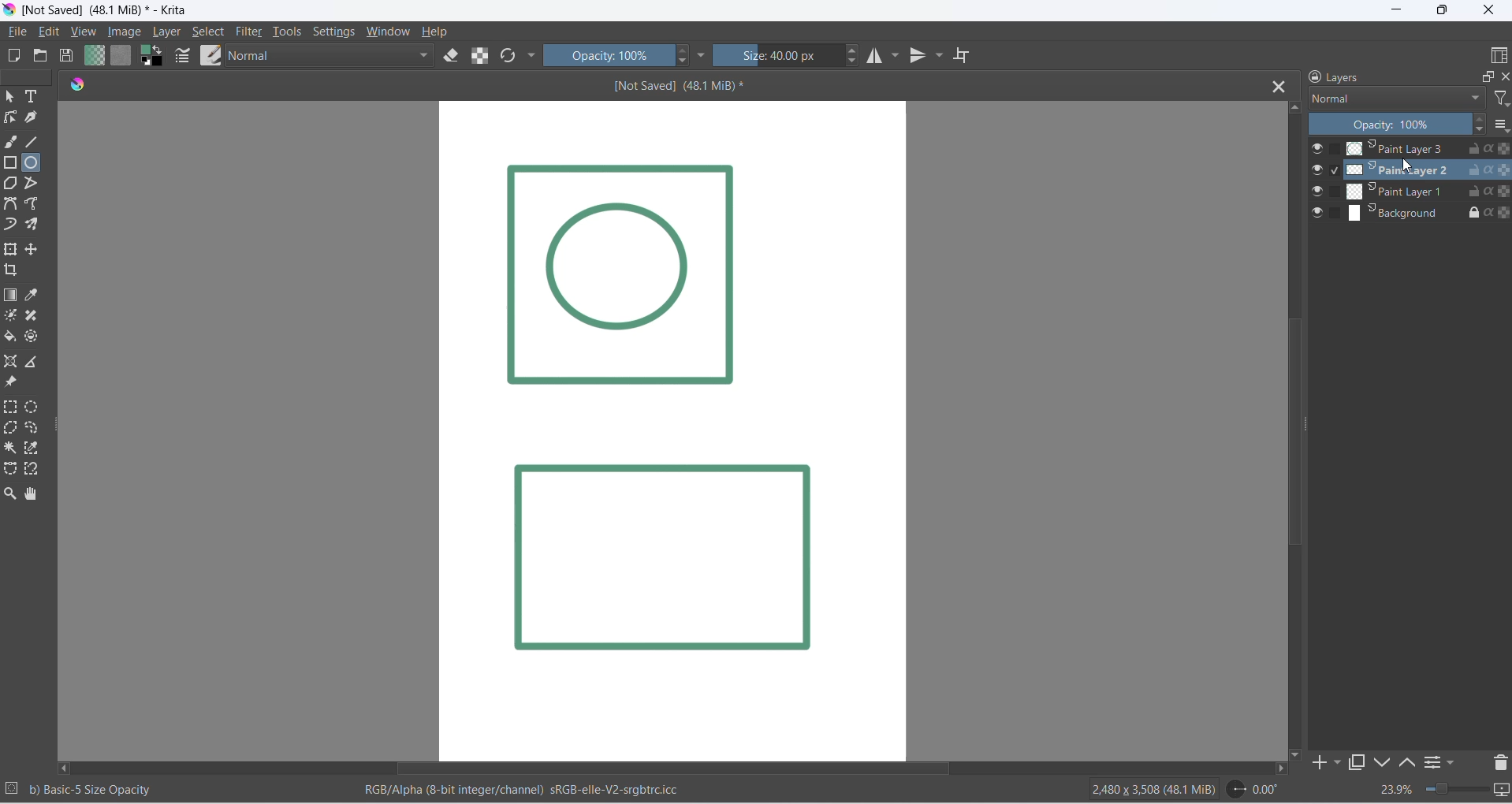 This screenshot has width=1512, height=804. What do you see at coordinates (35, 118) in the screenshot?
I see `calligraphy tool` at bounding box center [35, 118].